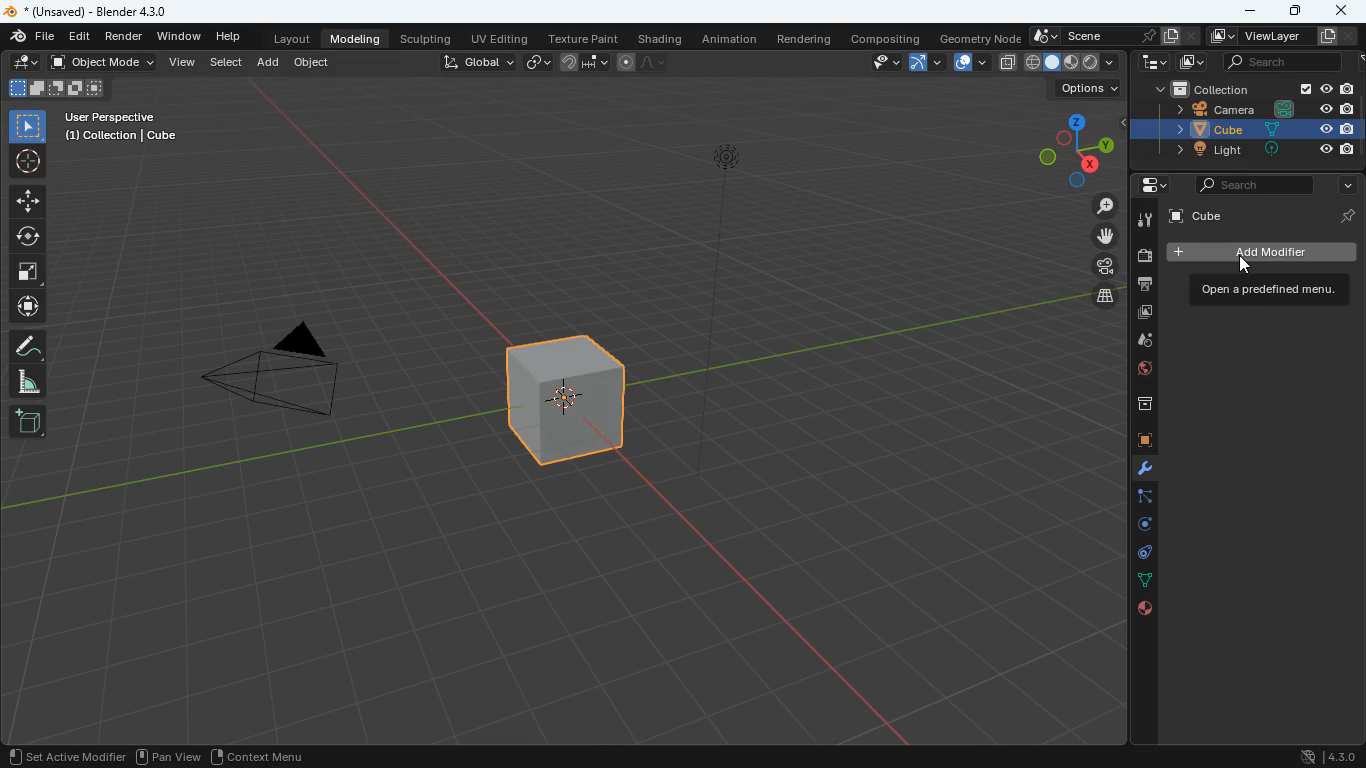  I want to click on draw, so click(28, 347).